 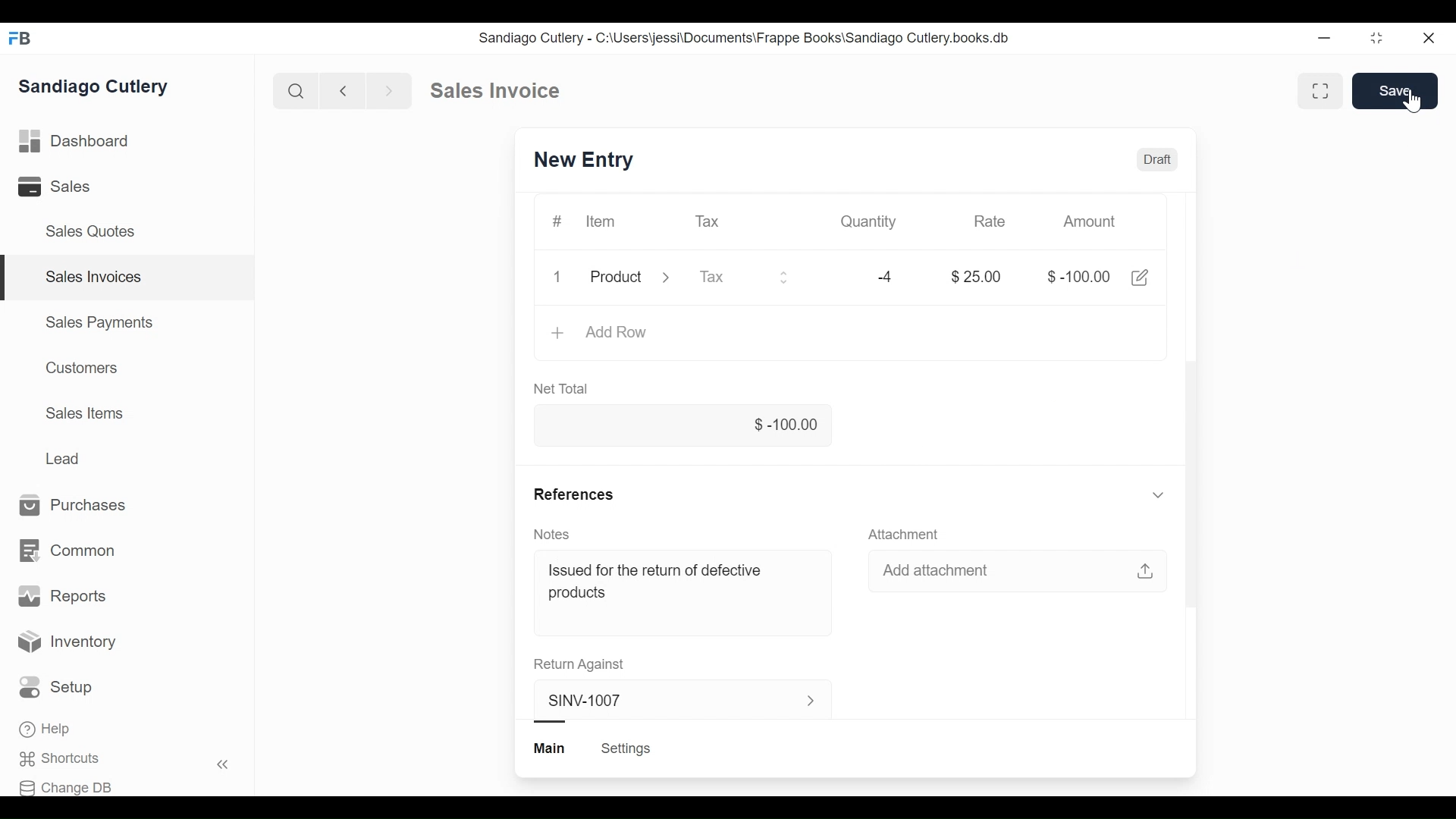 What do you see at coordinates (58, 758) in the screenshot?
I see `Shortcuts` at bounding box center [58, 758].